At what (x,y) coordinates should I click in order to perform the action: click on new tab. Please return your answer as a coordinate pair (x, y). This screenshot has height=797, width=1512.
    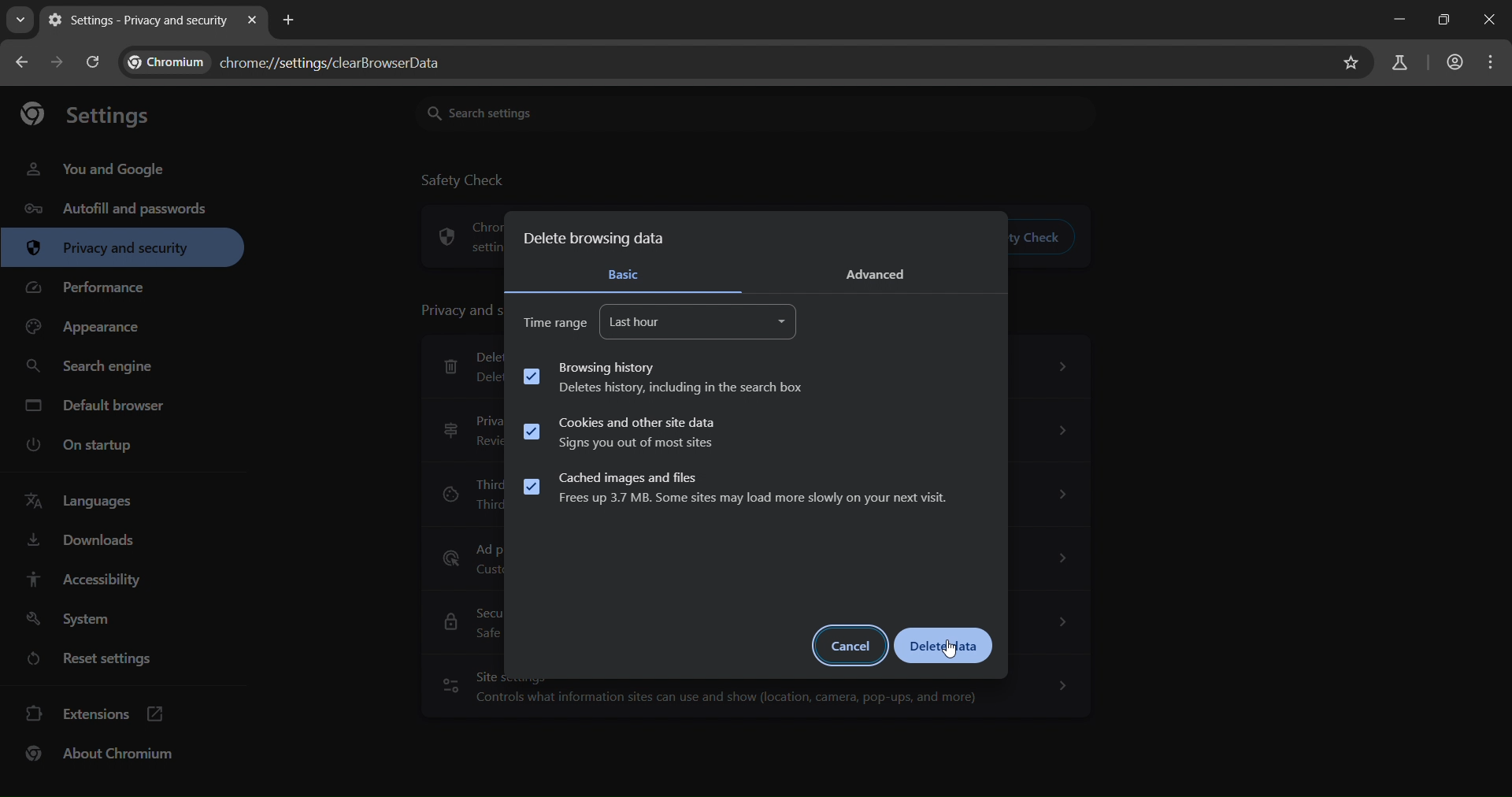
    Looking at the image, I should click on (290, 20).